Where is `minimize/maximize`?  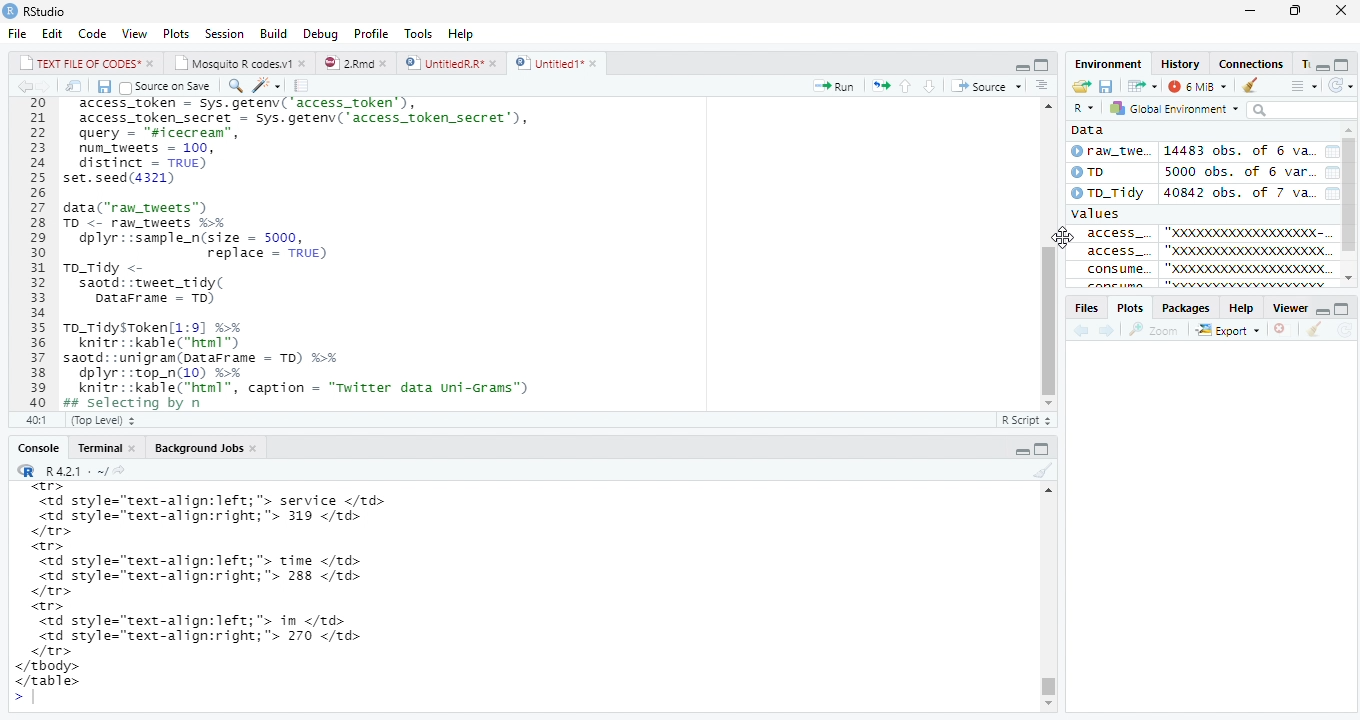 minimize/maximize is located at coordinates (1338, 61).